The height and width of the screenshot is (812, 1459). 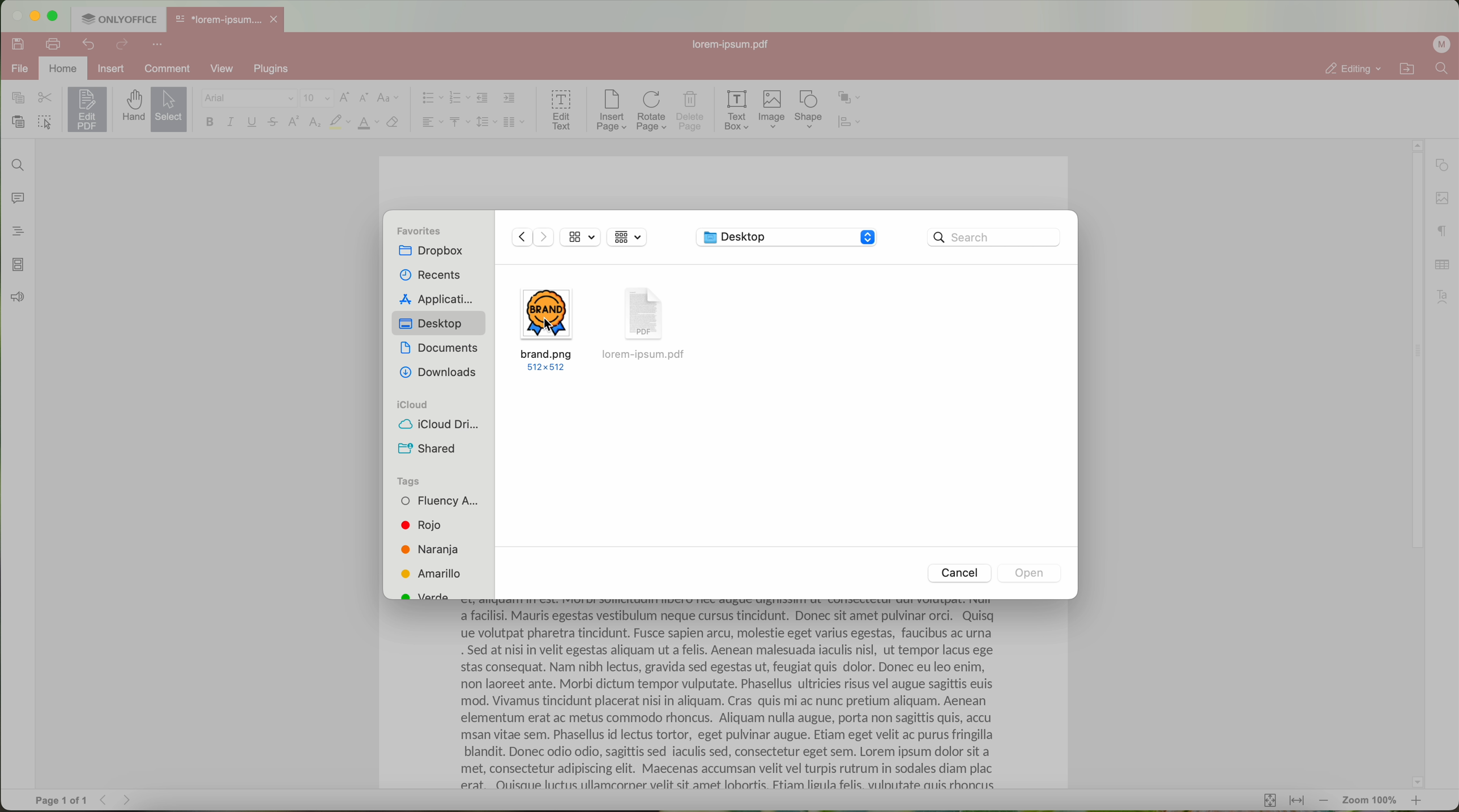 What do you see at coordinates (1445, 297) in the screenshot?
I see `text art settings` at bounding box center [1445, 297].